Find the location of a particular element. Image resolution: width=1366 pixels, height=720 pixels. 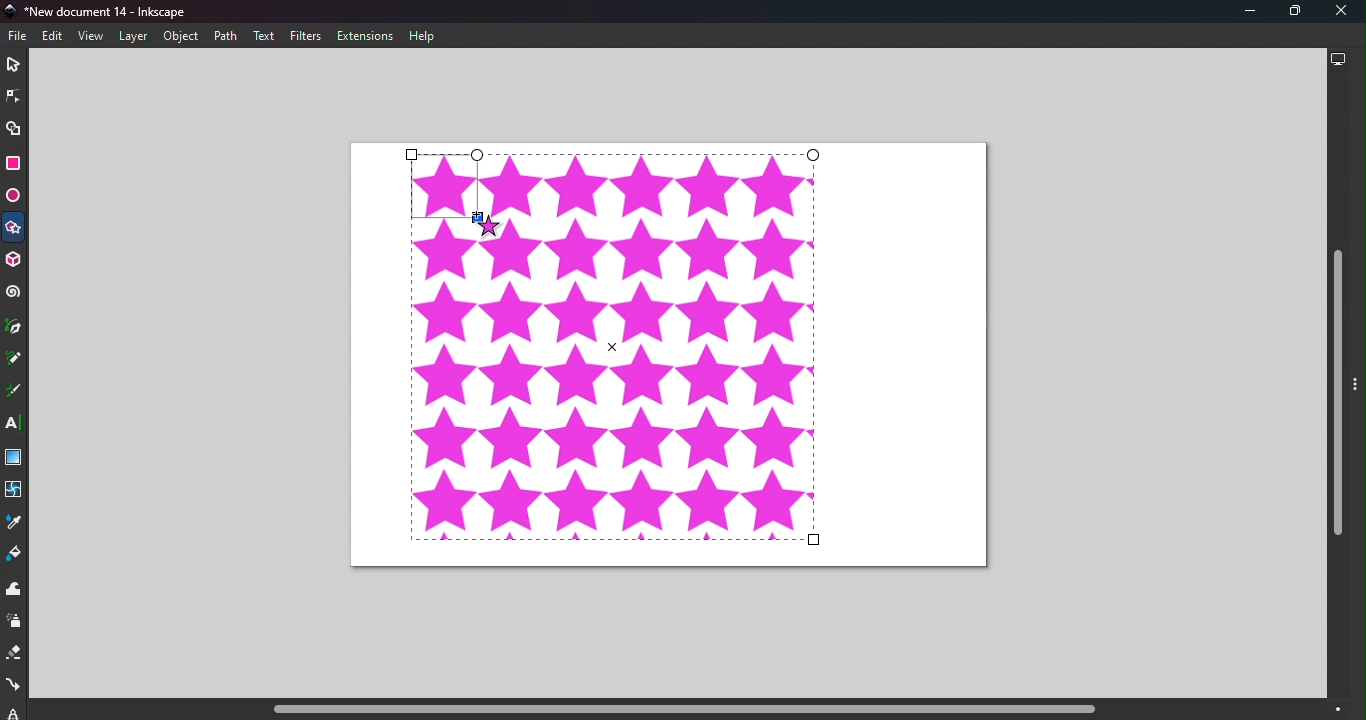

Object is located at coordinates (180, 37).